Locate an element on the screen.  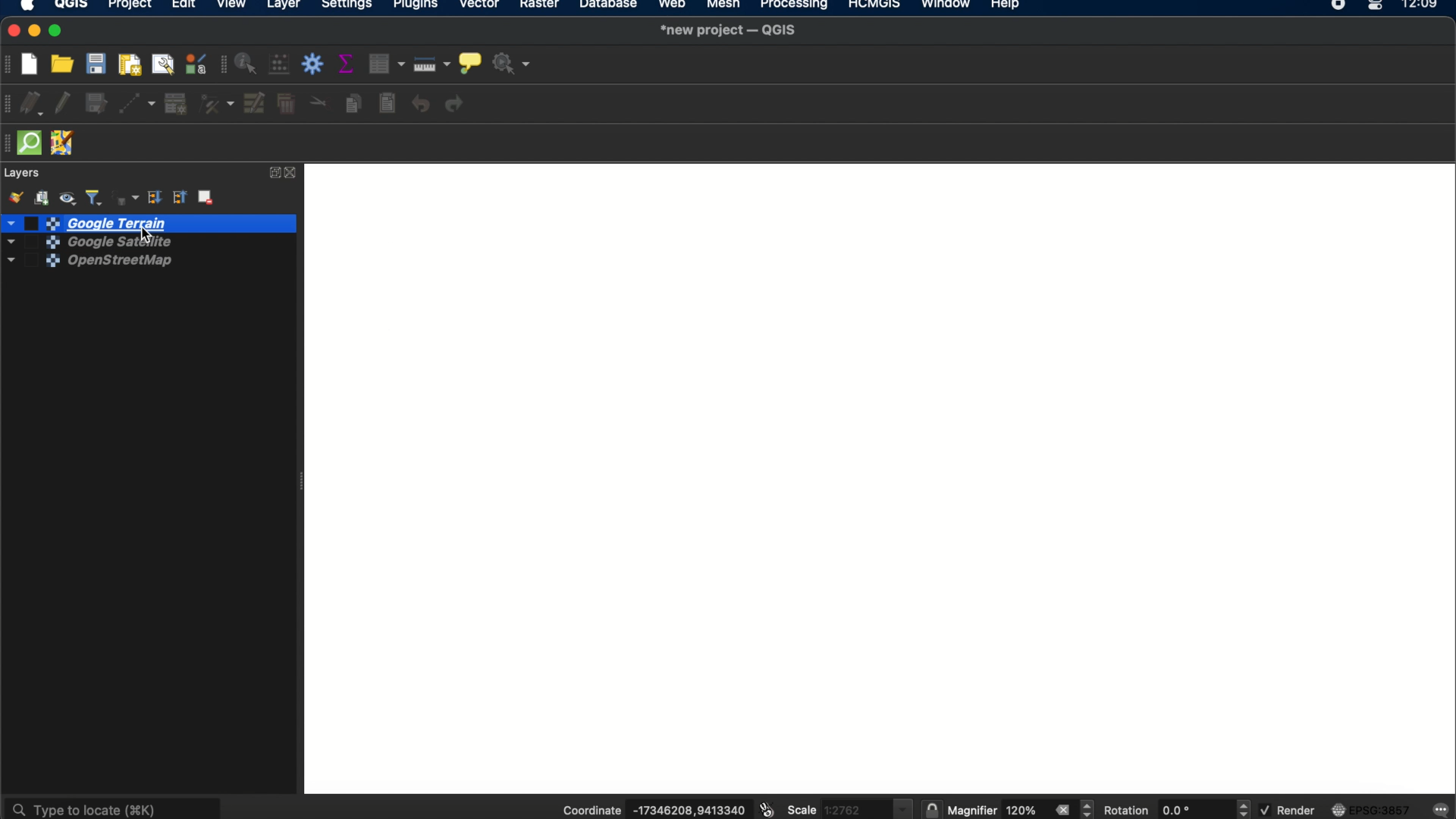
plugins is located at coordinates (416, 6).